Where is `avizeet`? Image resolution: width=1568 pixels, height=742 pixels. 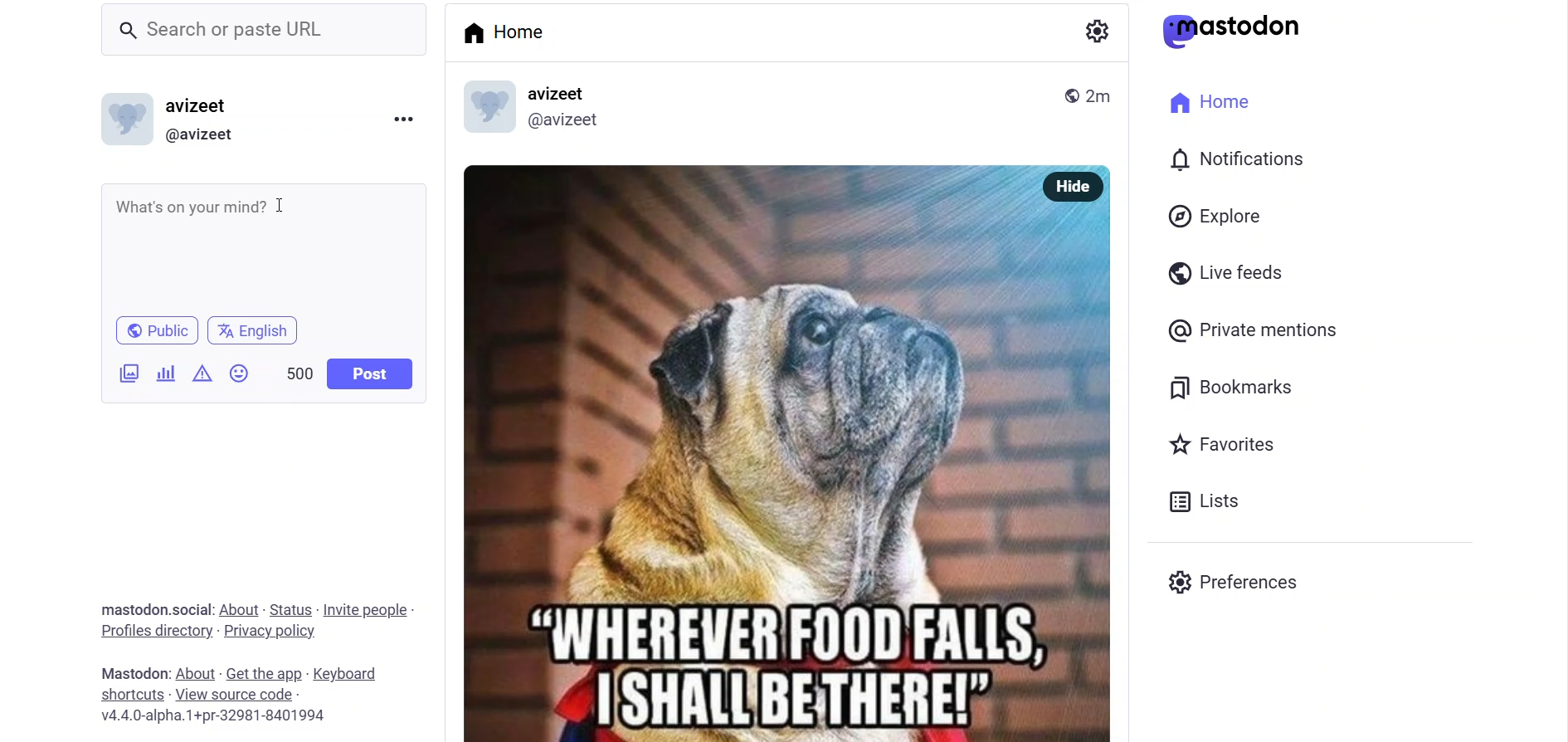
avizeet is located at coordinates (573, 93).